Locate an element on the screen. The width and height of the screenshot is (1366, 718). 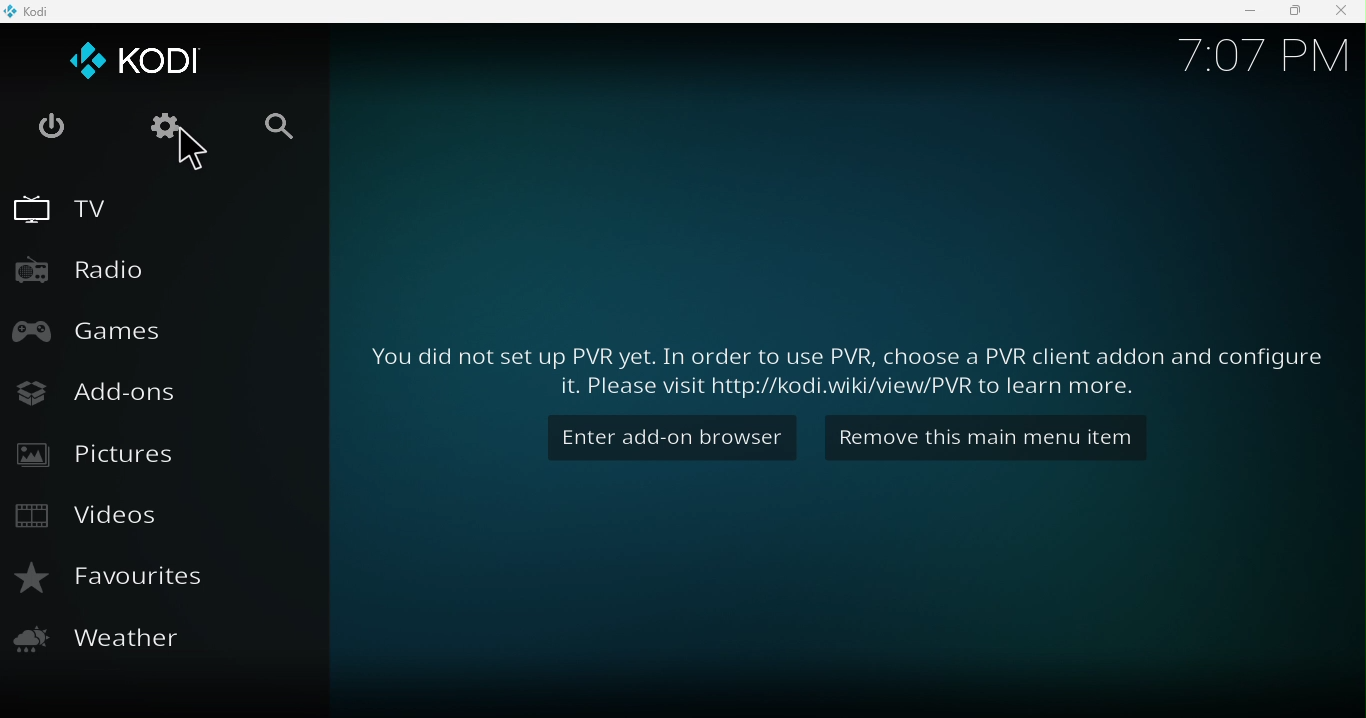
Settings is located at coordinates (160, 128).